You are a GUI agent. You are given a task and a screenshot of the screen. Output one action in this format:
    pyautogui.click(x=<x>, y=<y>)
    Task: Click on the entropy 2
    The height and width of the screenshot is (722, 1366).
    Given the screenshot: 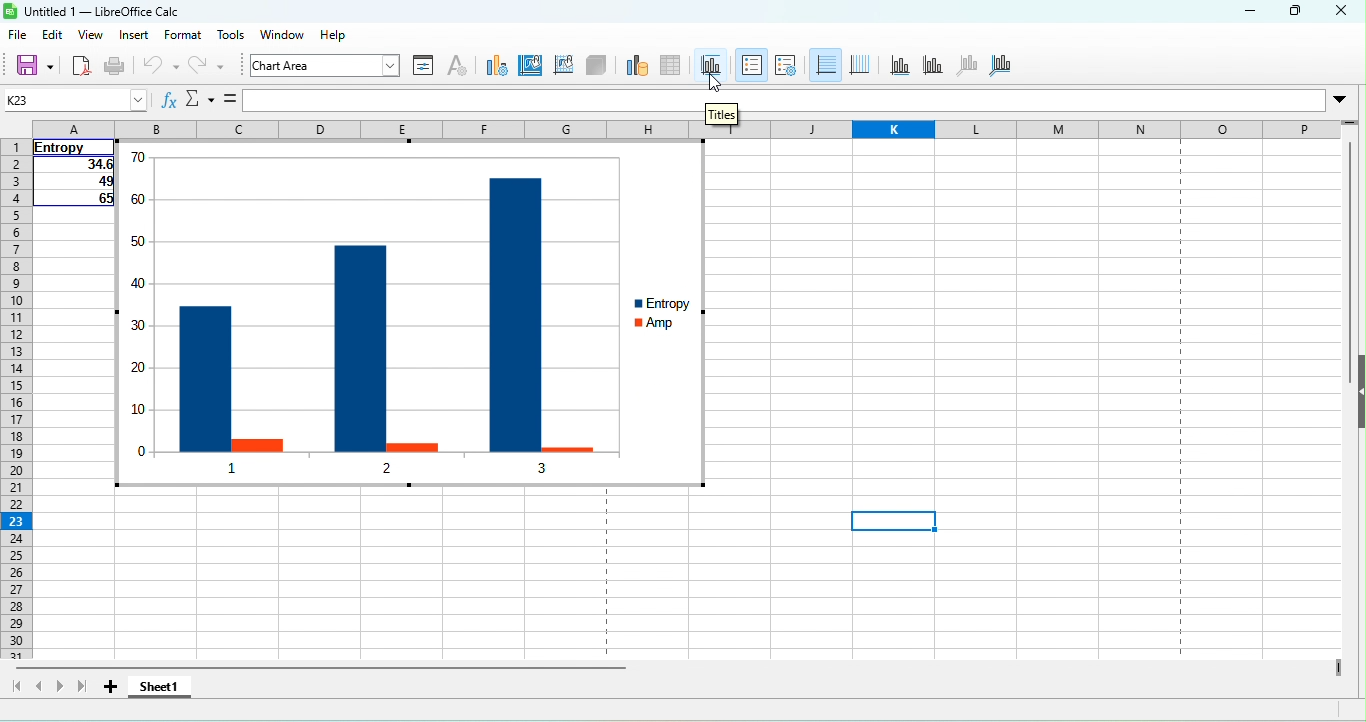 What is the action you would take?
    pyautogui.click(x=359, y=348)
    